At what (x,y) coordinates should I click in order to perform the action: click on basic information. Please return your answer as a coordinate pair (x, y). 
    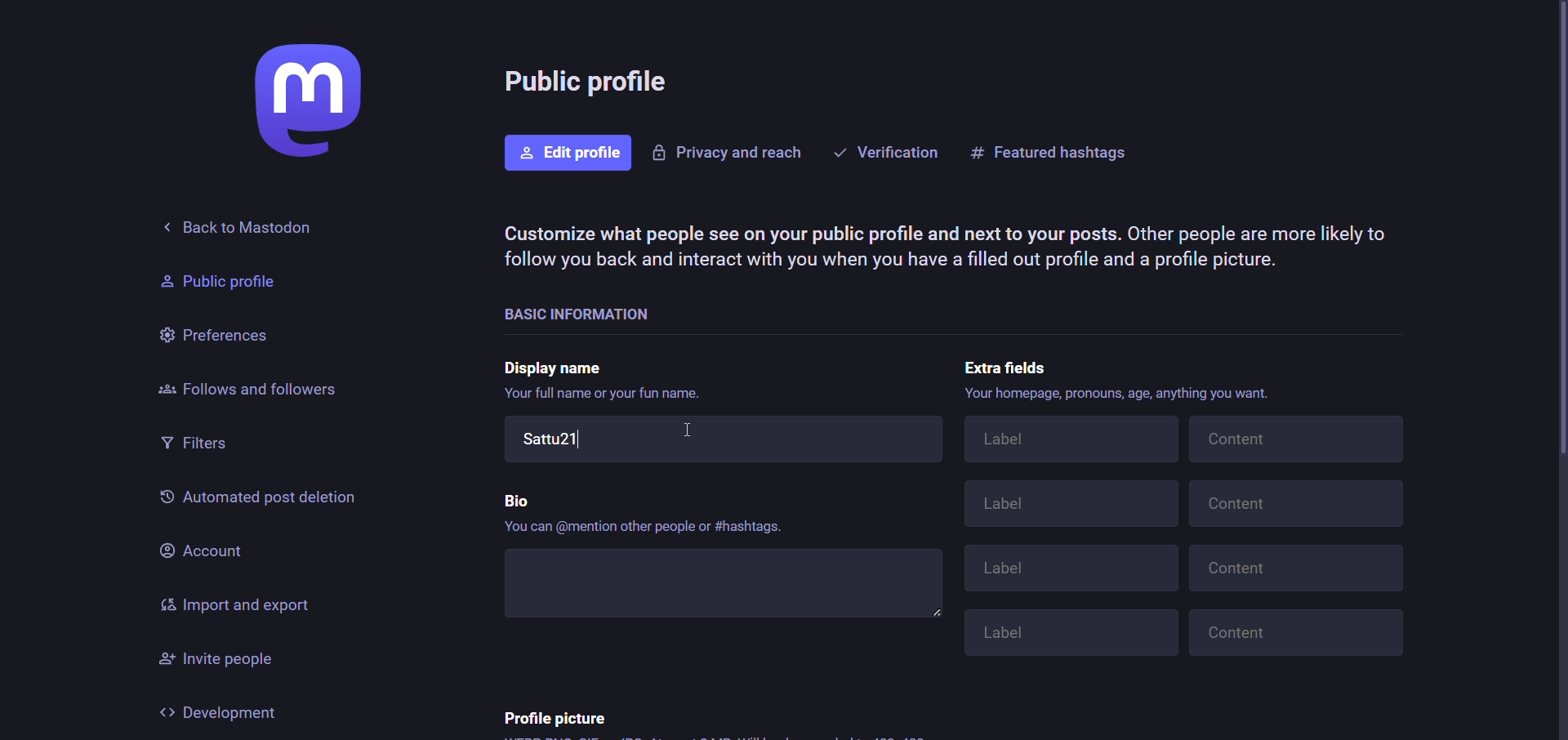
    Looking at the image, I should click on (616, 312).